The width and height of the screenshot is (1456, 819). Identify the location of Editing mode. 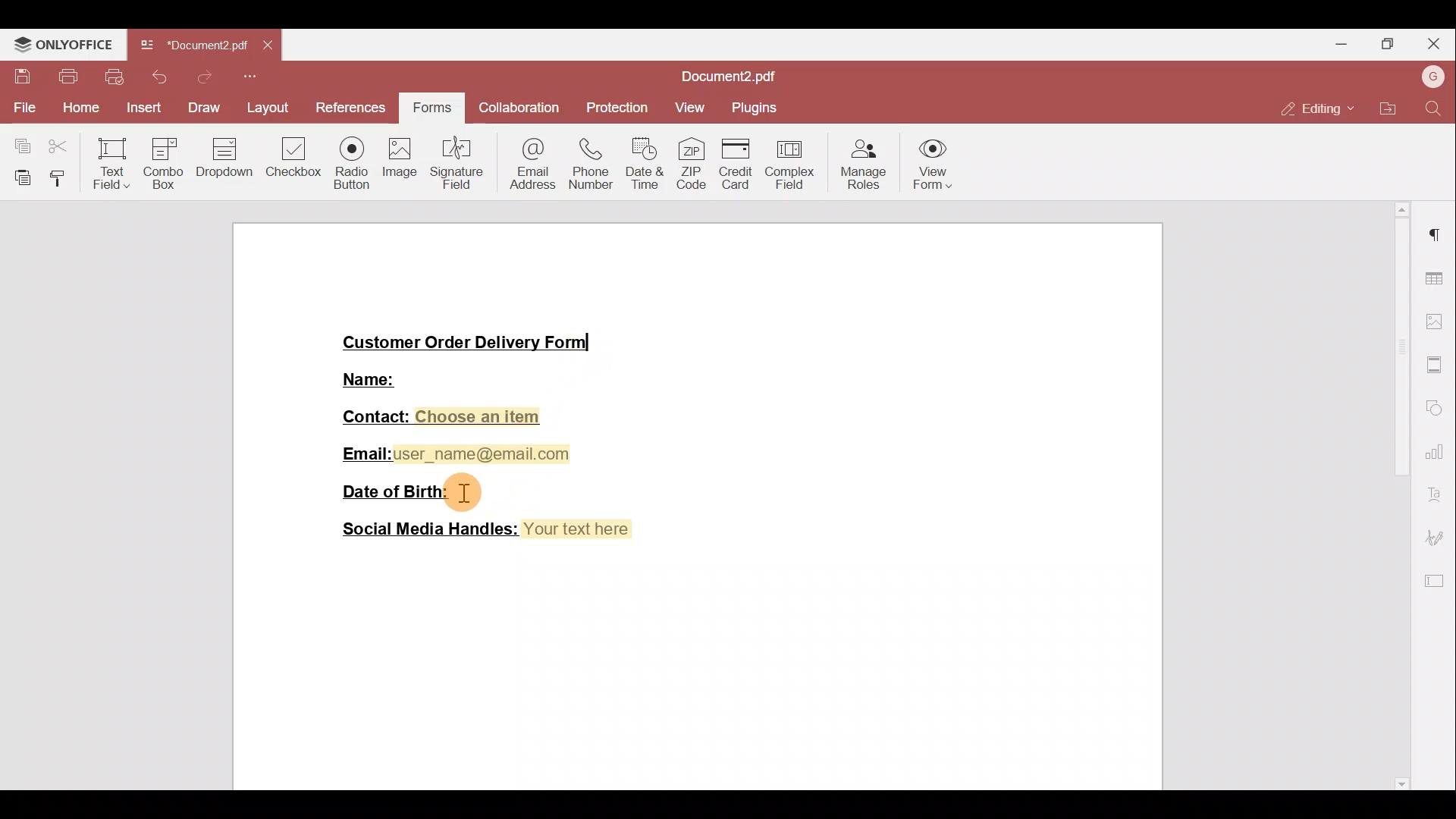
(1313, 108).